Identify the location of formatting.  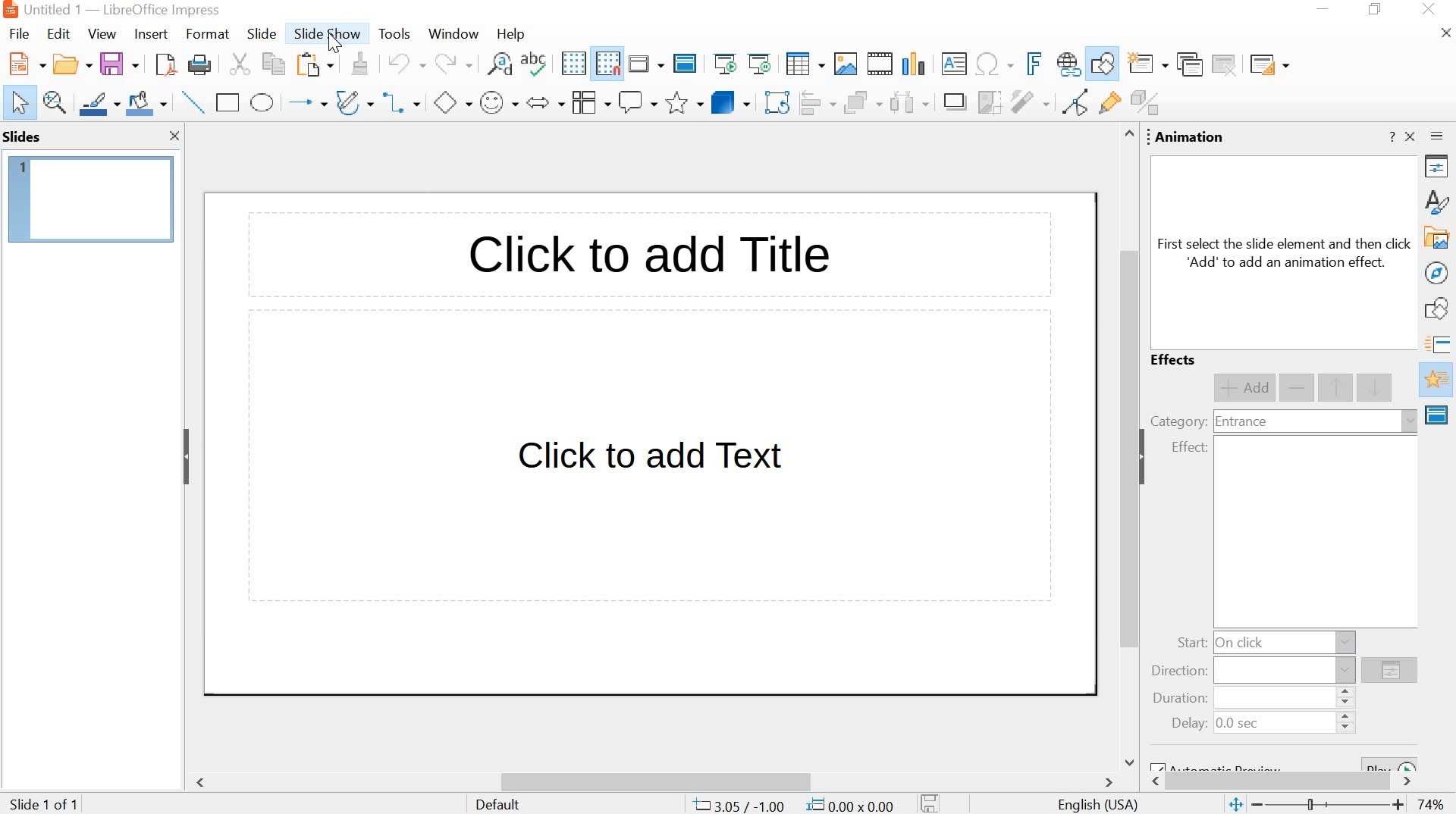
(358, 64).